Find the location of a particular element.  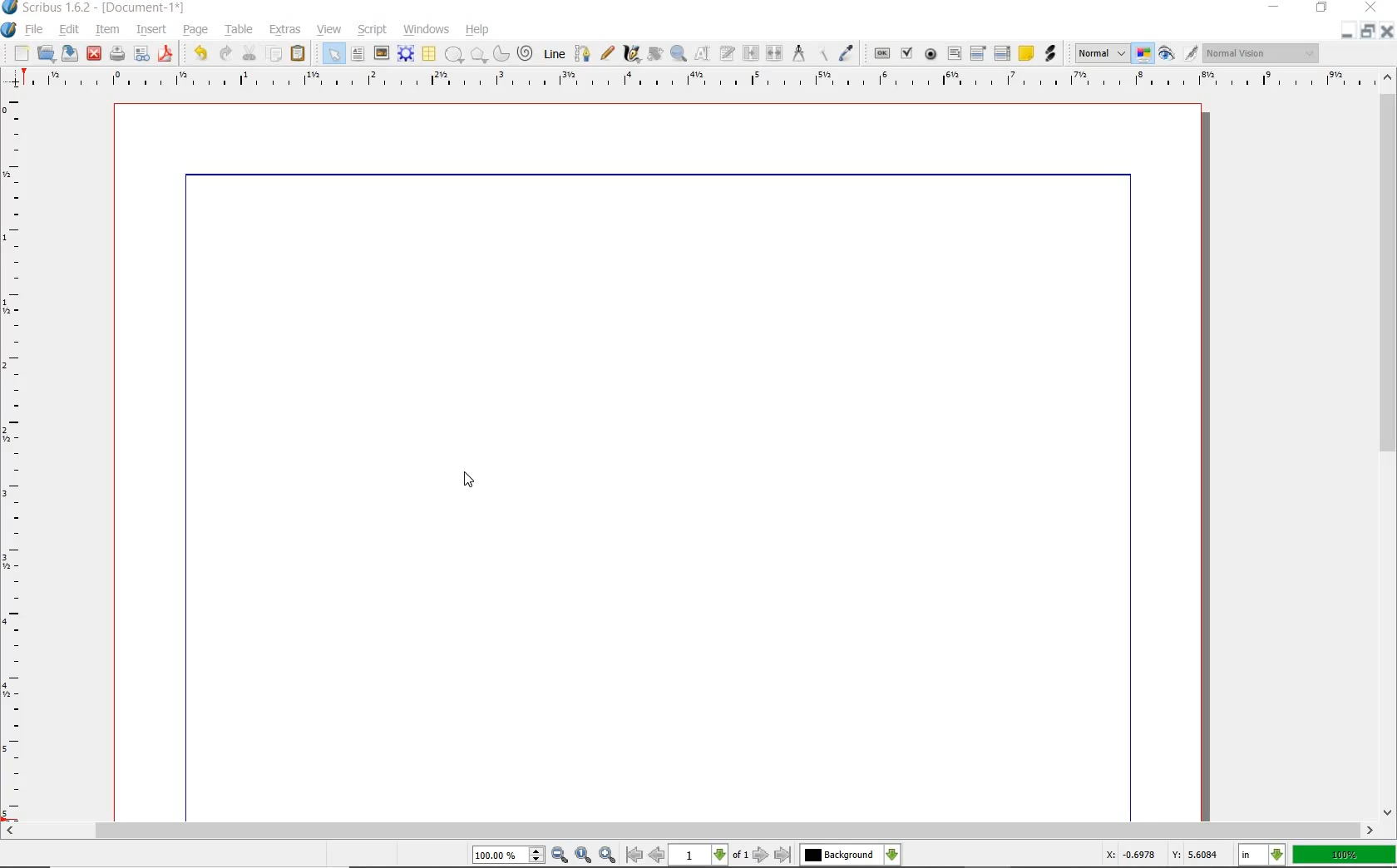

PASTE is located at coordinates (298, 55).